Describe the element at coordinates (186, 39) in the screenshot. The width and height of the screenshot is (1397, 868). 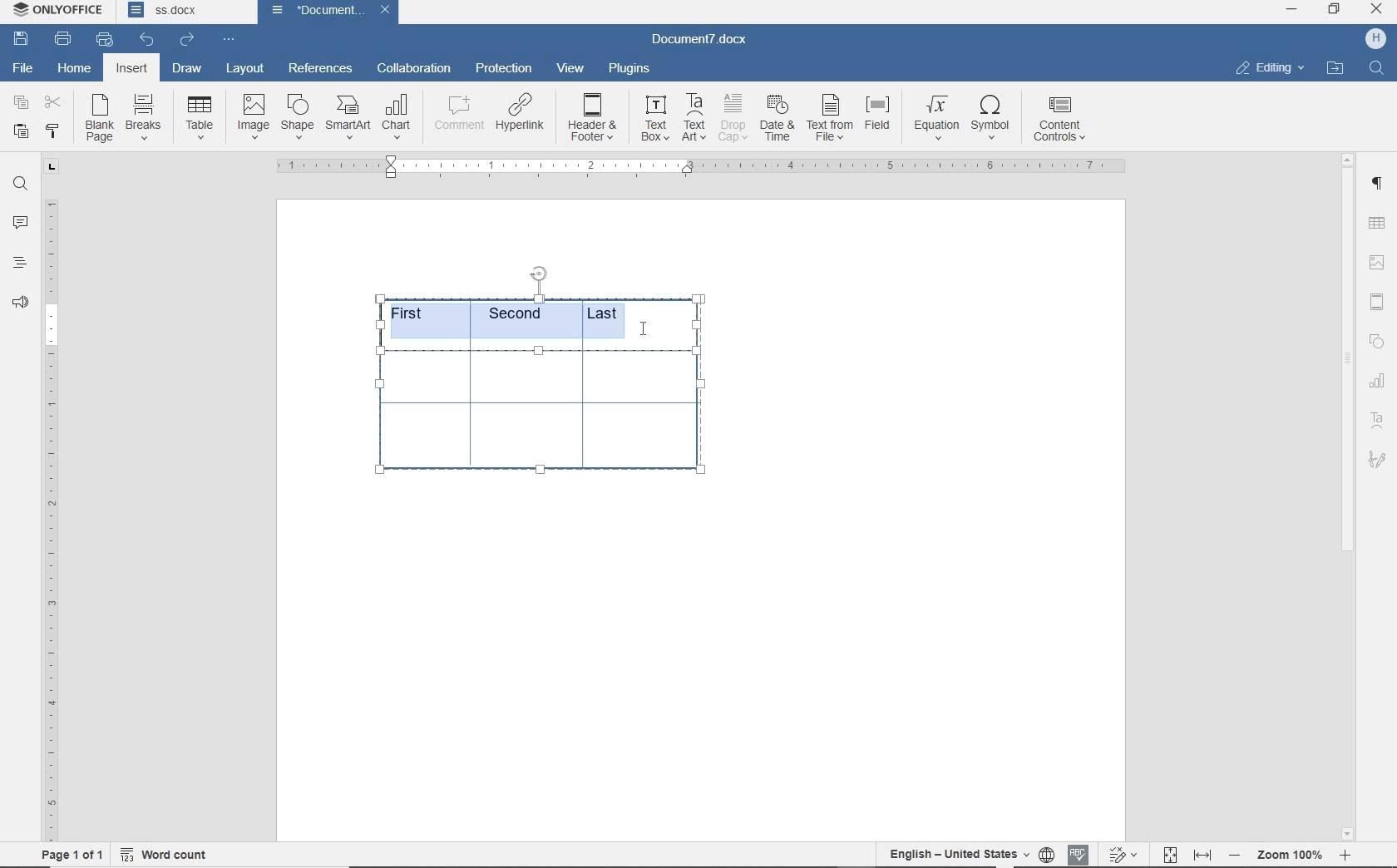
I see `redo` at that location.